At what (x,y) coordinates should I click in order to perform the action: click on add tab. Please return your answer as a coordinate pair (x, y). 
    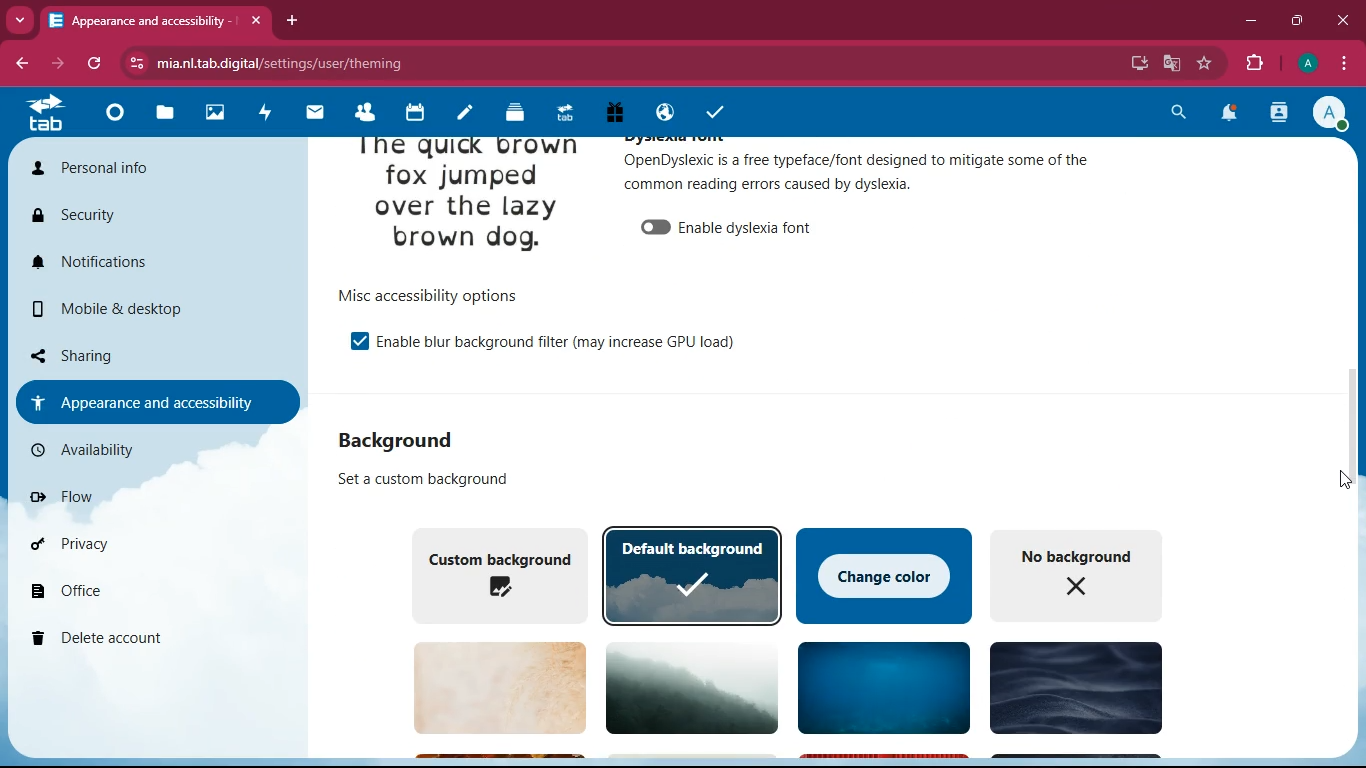
    Looking at the image, I should click on (295, 20).